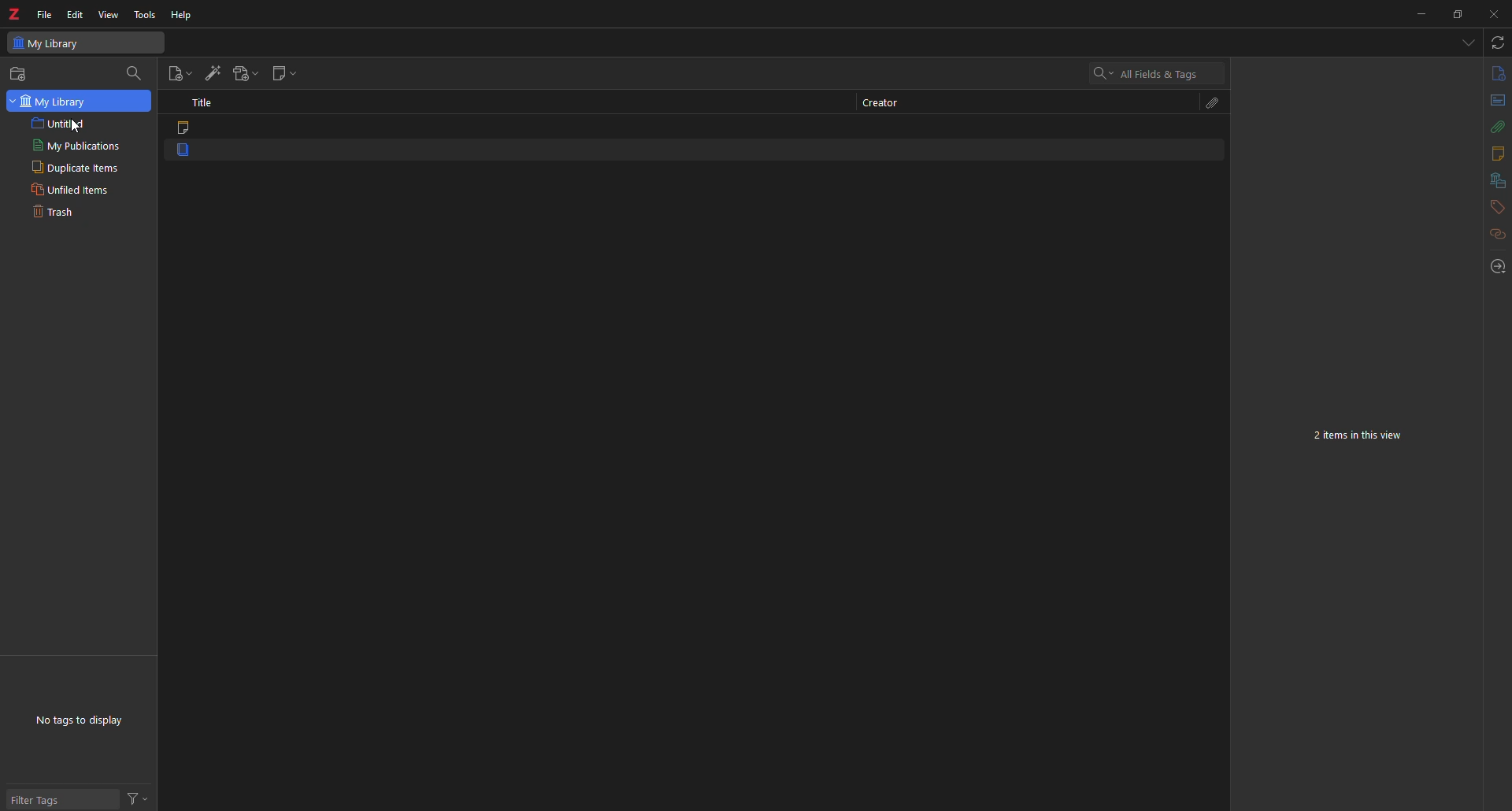 The height and width of the screenshot is (811, 1512). I want to click on tags, so click(1496, 206).